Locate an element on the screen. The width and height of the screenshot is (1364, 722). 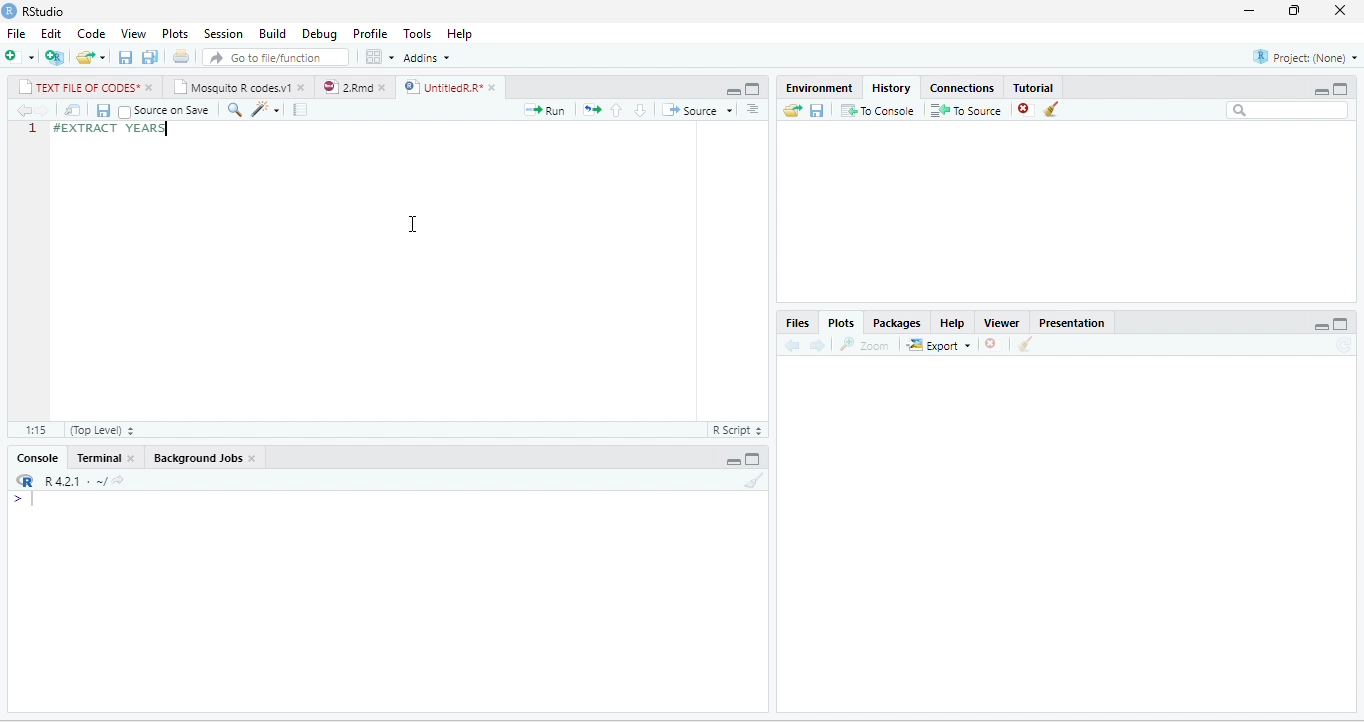
Connections is located at coordinates (963, 89).